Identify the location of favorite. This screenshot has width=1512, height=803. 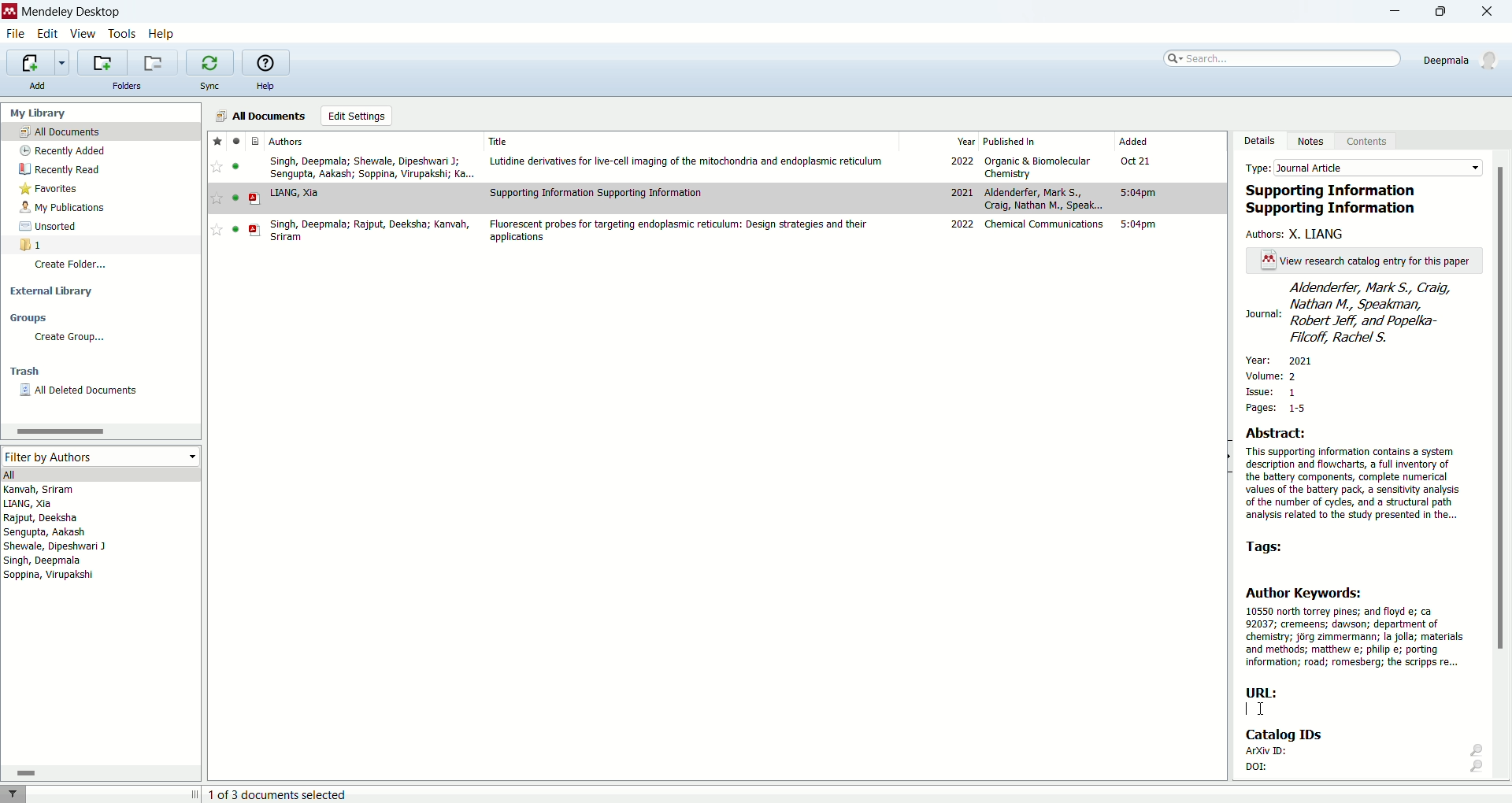
(216, 166).